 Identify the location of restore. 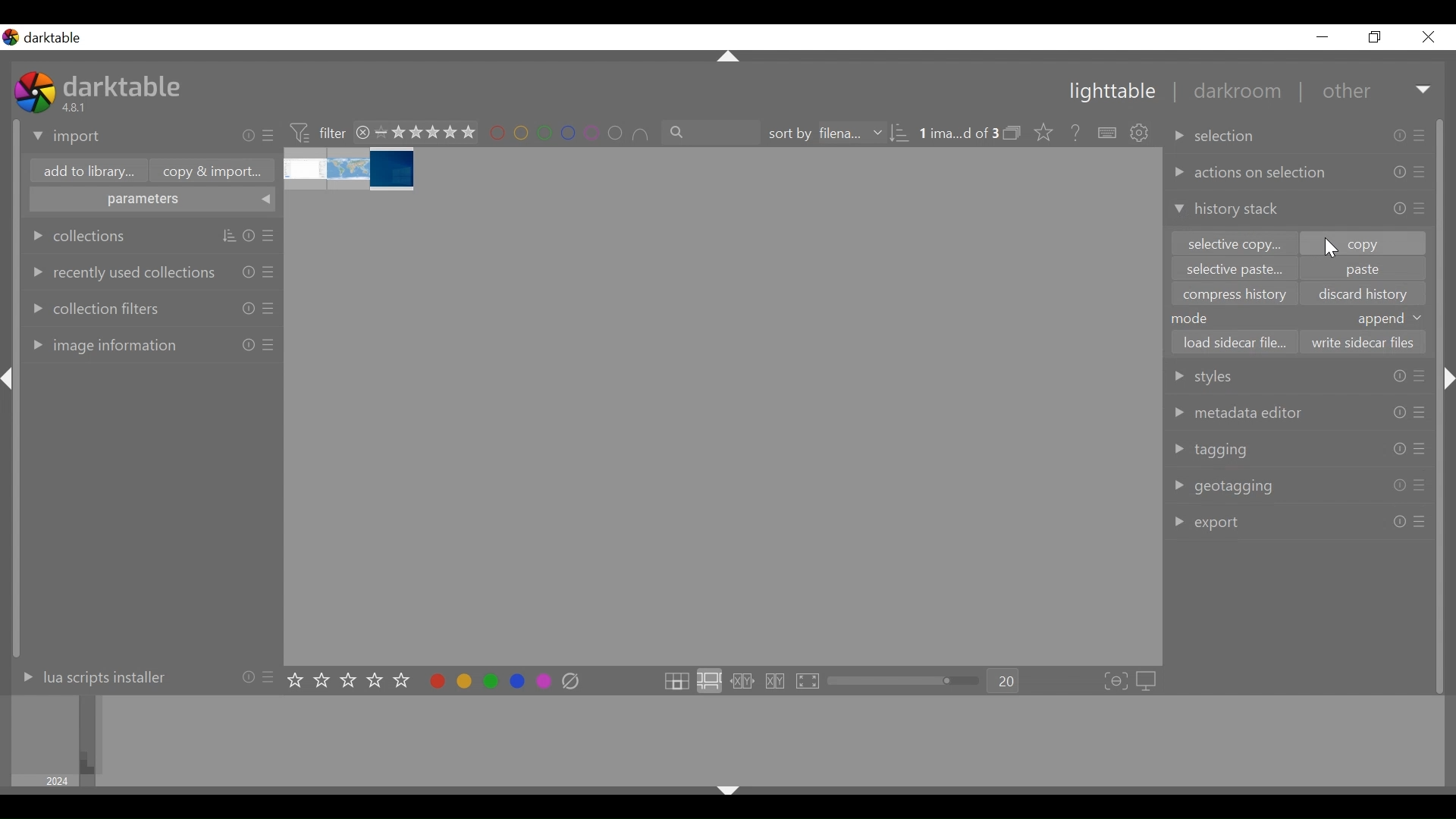
(1373, 37).